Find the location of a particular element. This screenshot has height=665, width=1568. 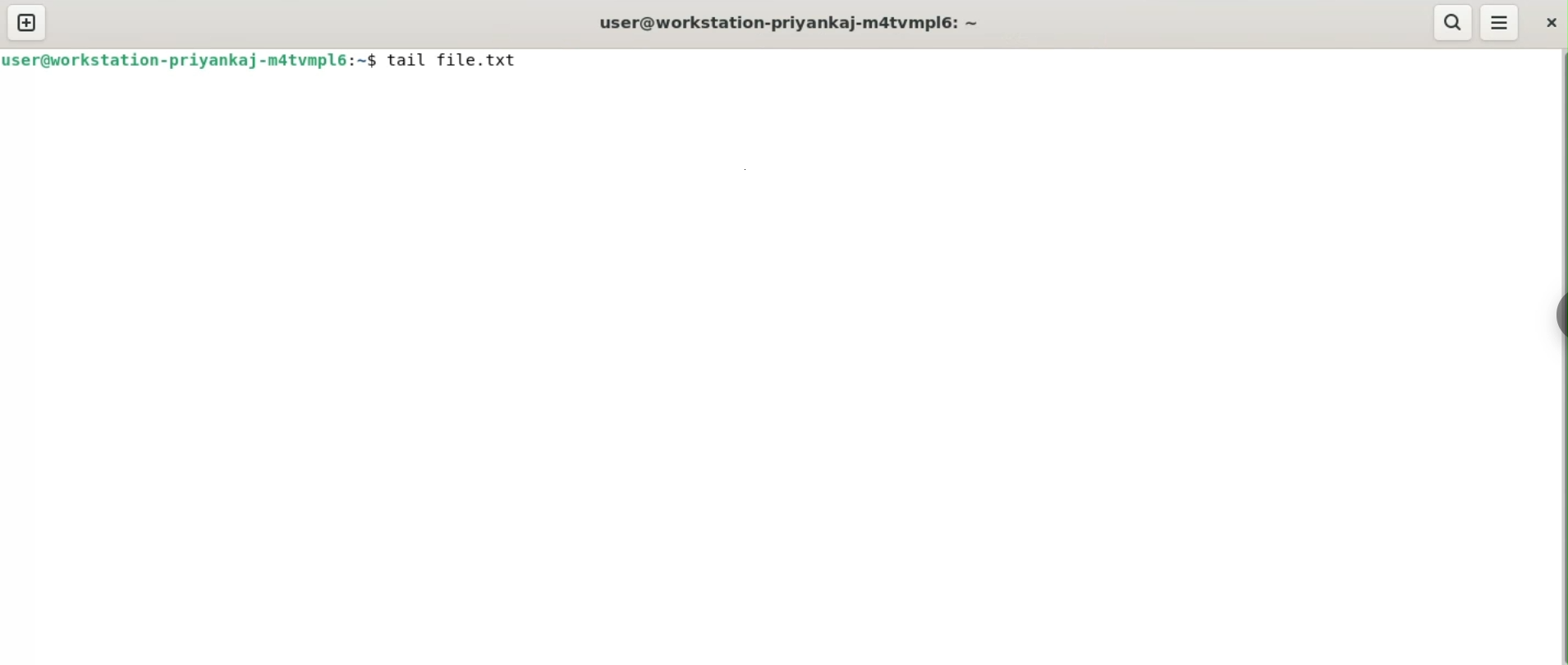

search is located at coordinates (1453, 22).